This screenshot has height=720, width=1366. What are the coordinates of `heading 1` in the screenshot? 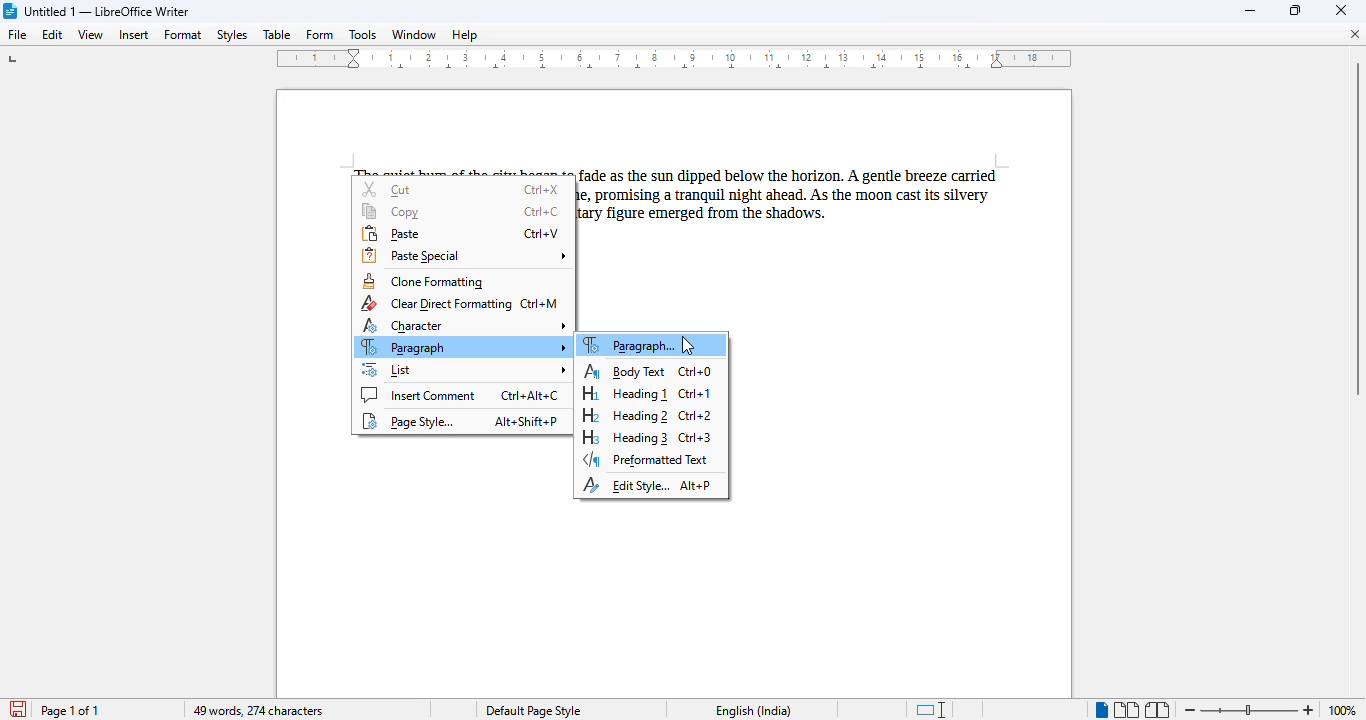 It's located at (646, 395).